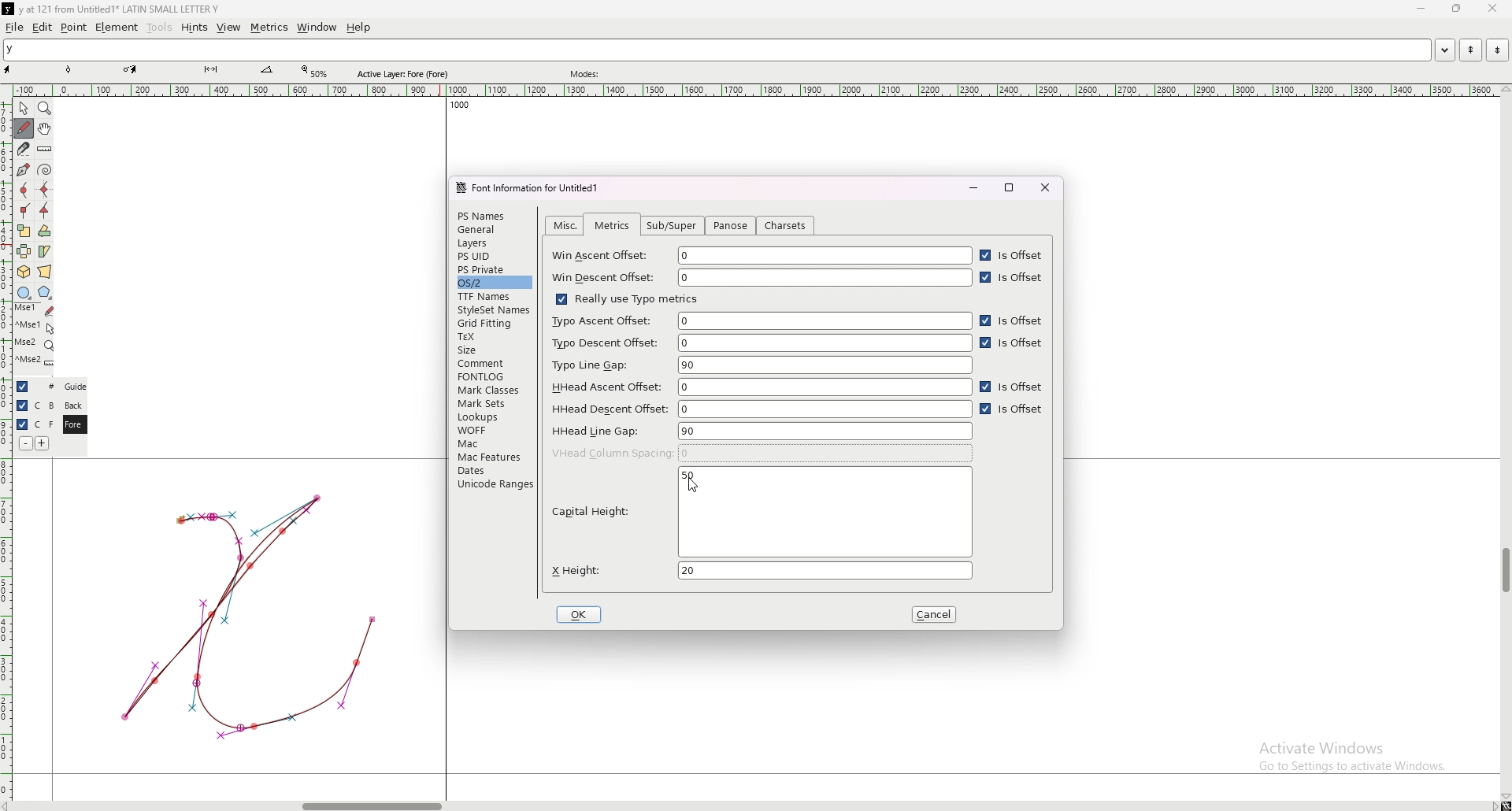 The height and width of the screenshot is (811, 1512). What do you see at coordinates (24, 292) in the screenshot?
I see `circle or ellipse` at bounding box center [24, 292].